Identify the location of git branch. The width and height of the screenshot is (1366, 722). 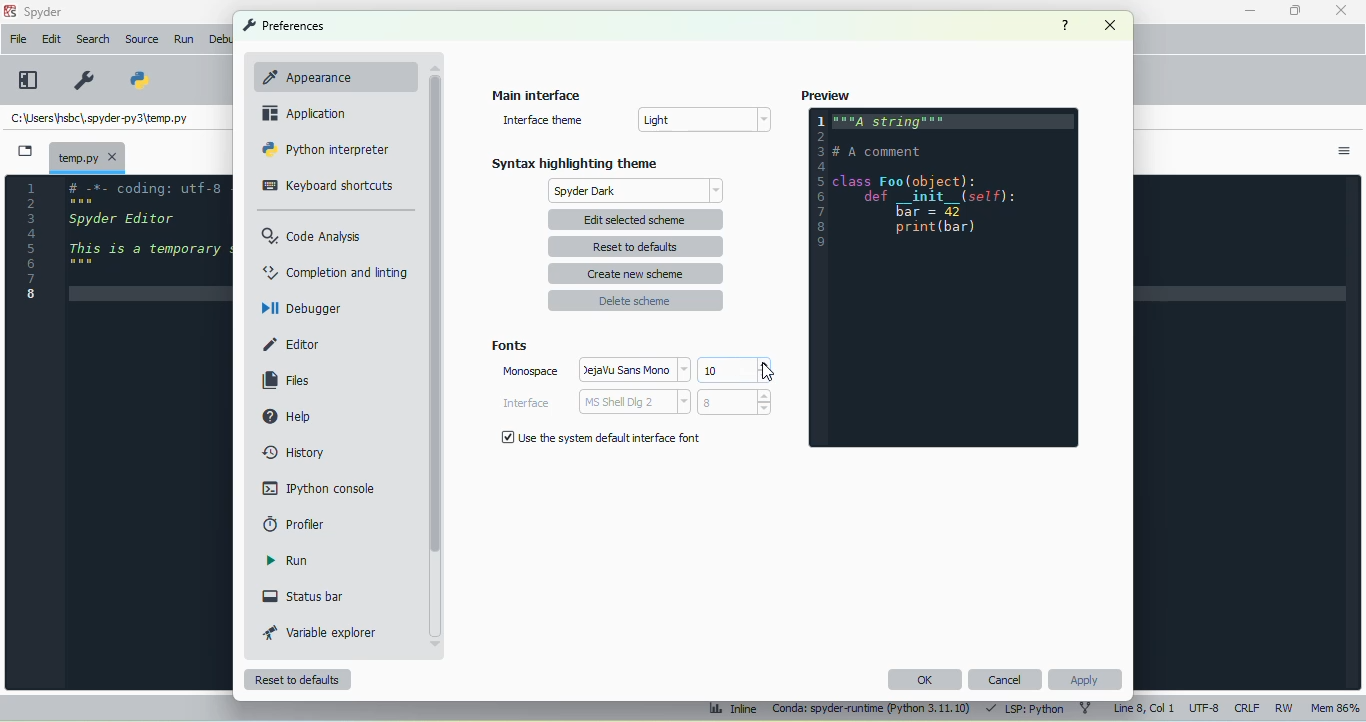
(1086, 709).